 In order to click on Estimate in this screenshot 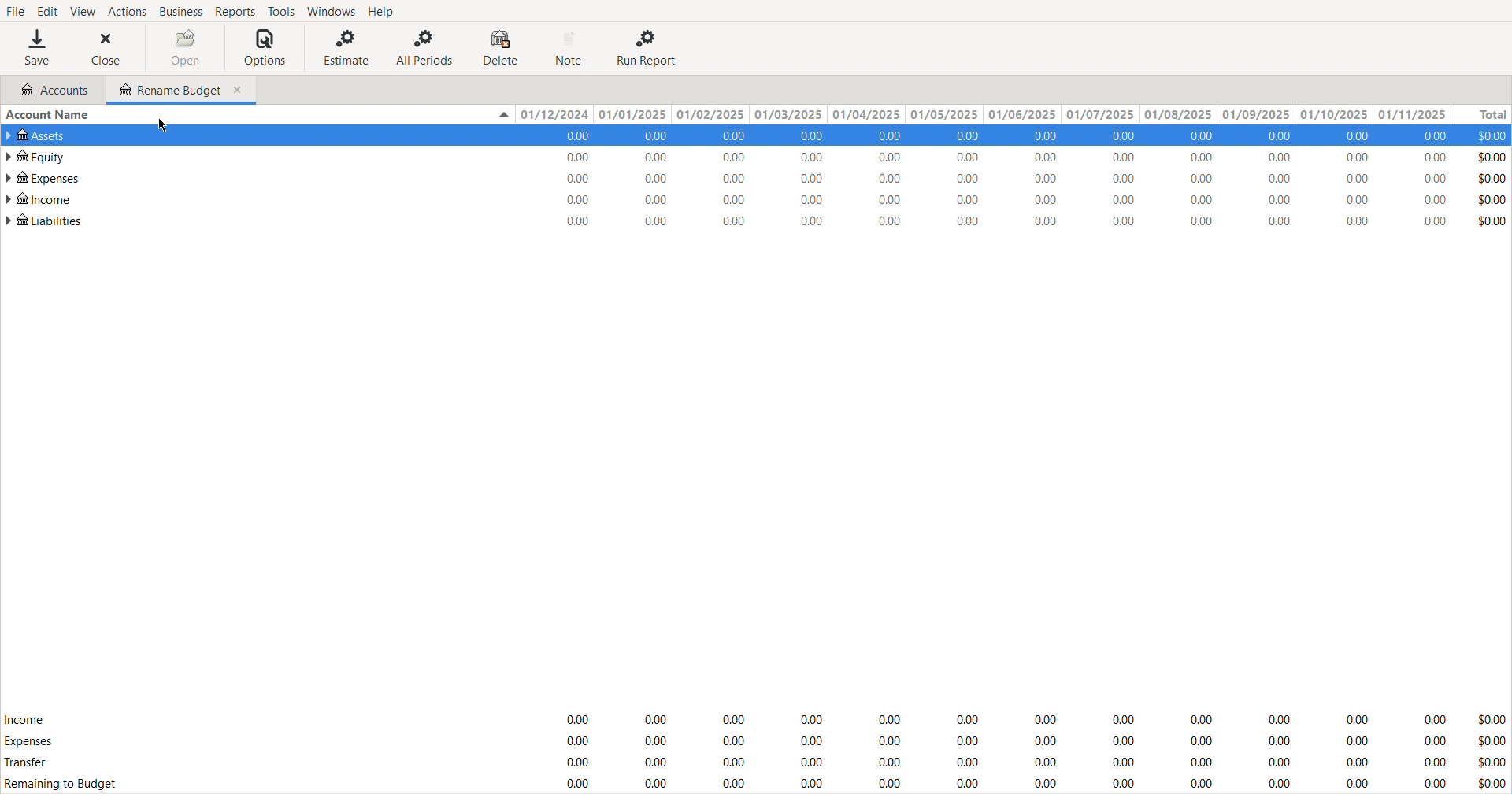, I will do `click(343, 47)`.